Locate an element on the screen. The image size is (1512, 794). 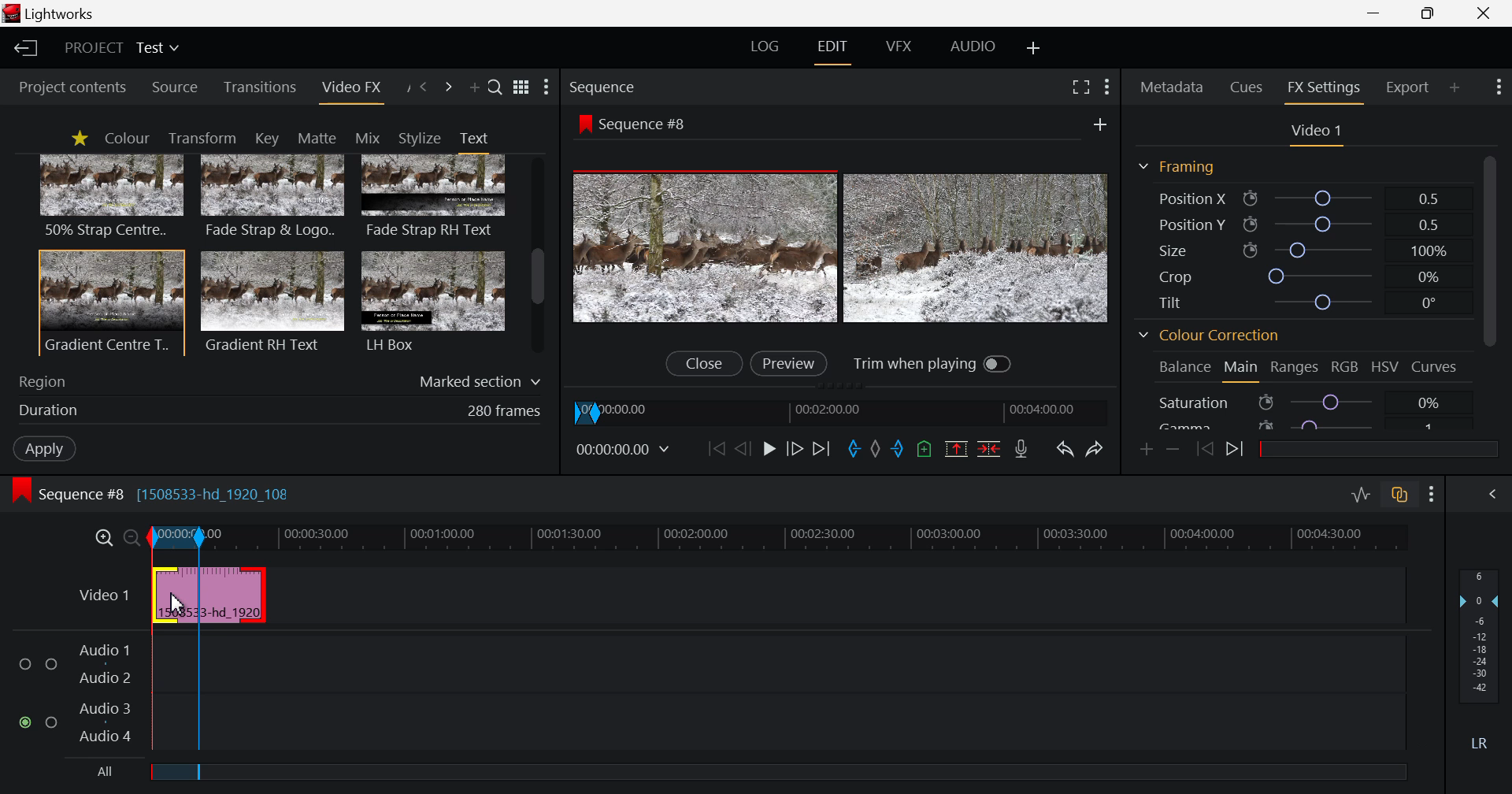
Minimize is located at coordinates (1432, 14).